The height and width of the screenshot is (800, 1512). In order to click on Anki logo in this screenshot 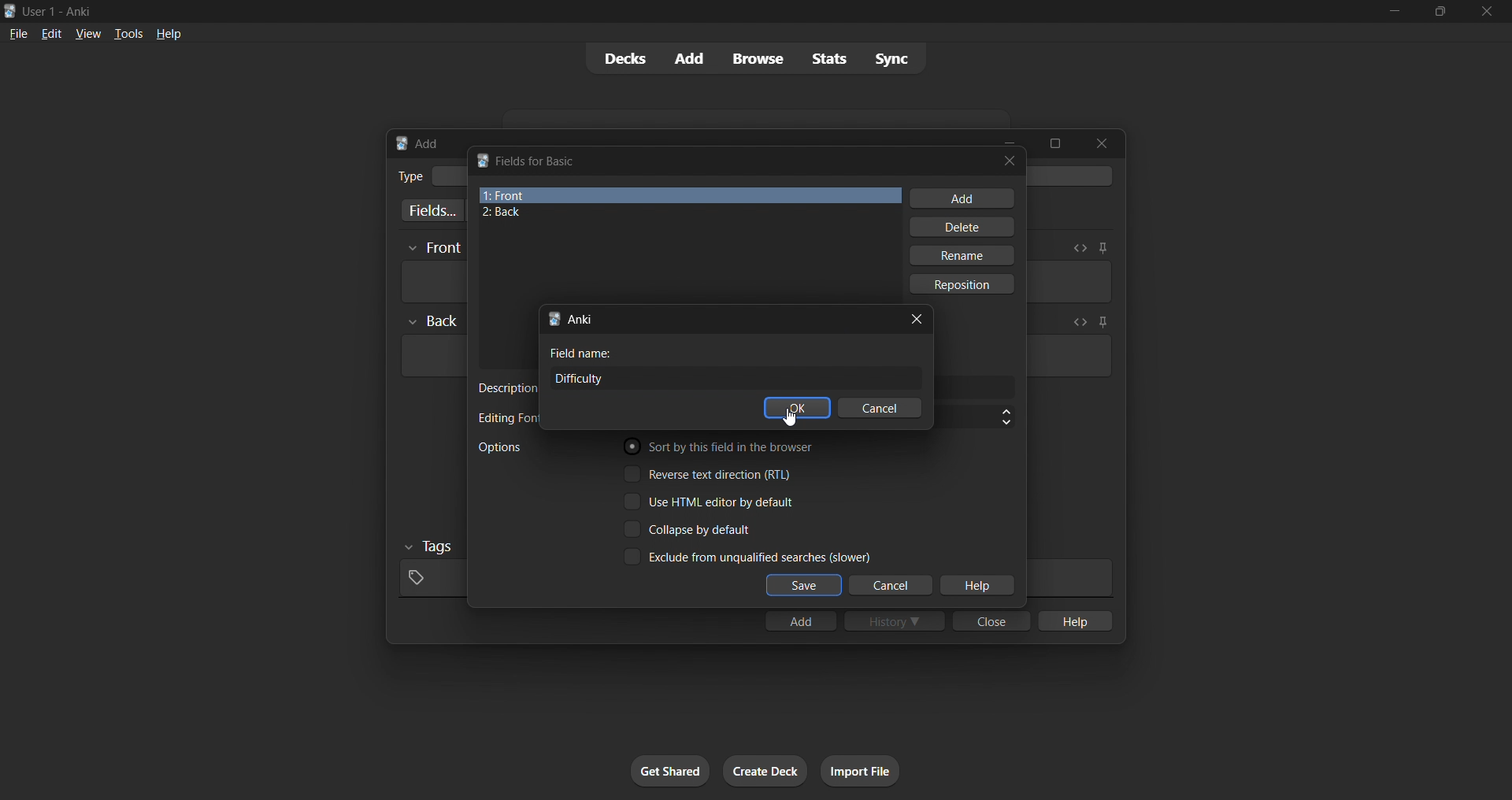, I will do `click(402, 143)`.